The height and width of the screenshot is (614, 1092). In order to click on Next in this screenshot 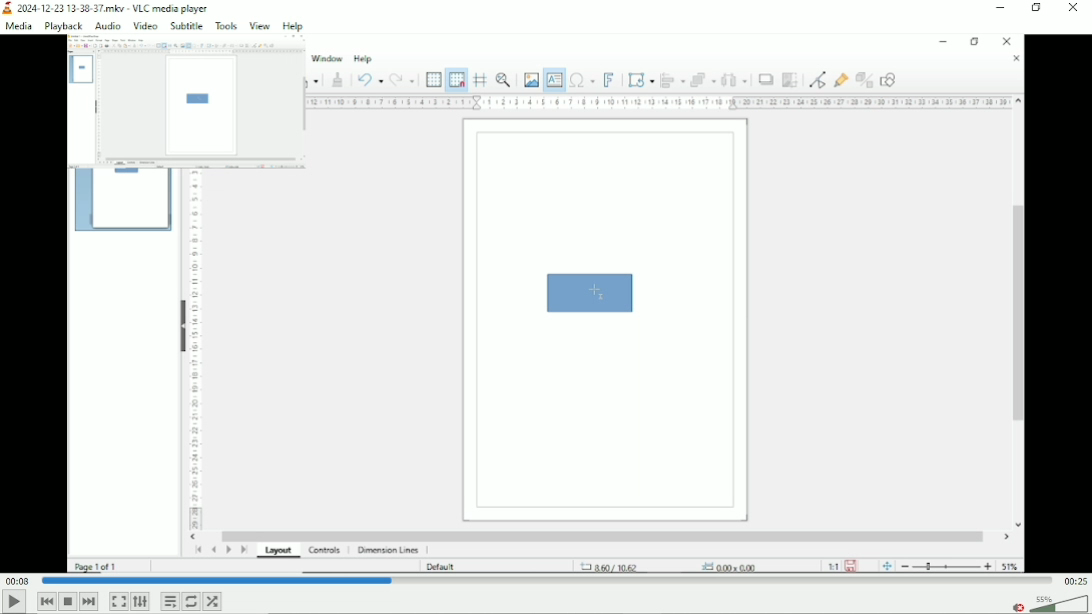, I will do `click(89, 602)`.